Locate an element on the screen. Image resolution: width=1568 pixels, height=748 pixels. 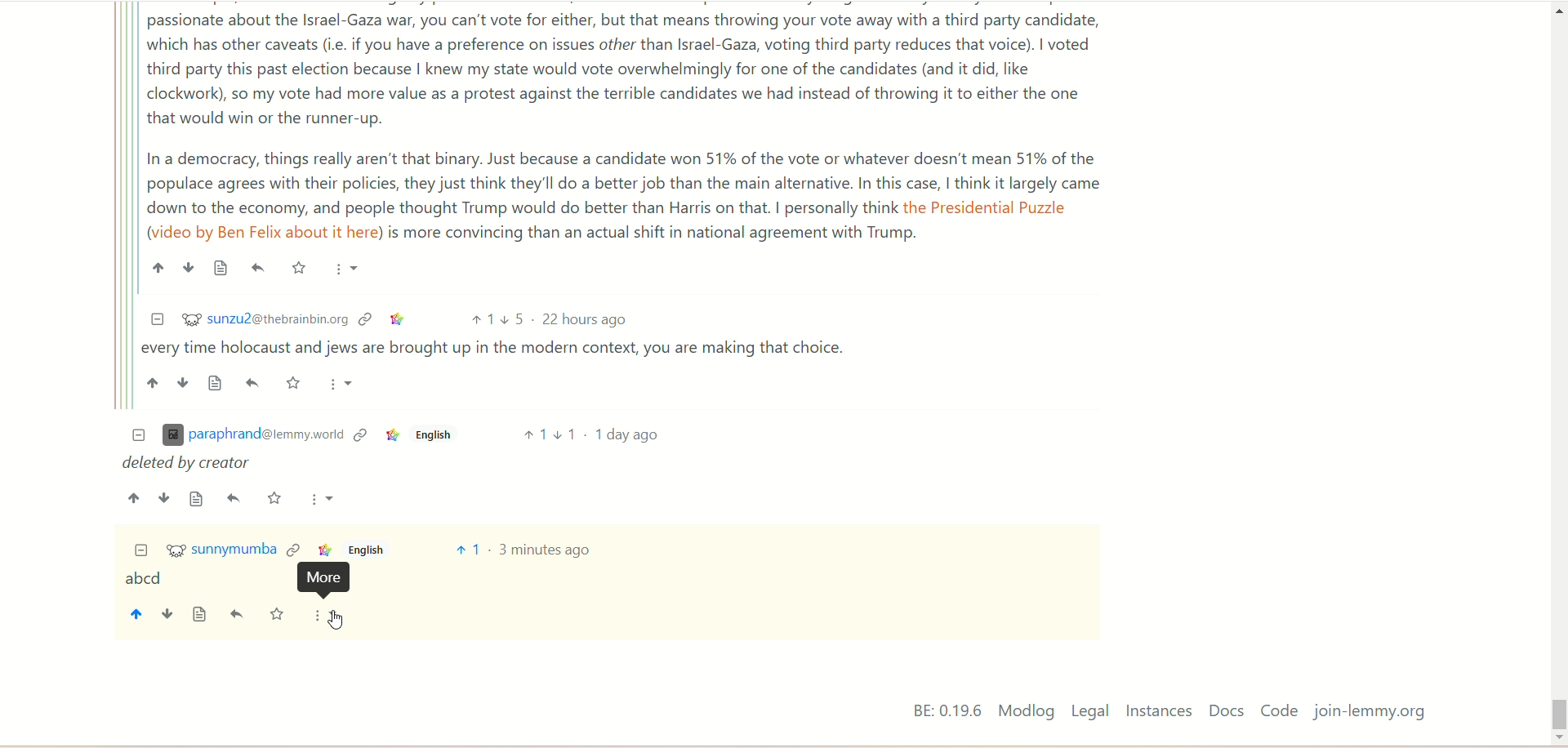
 Upvote 1 is located at coordinates (533, 434).